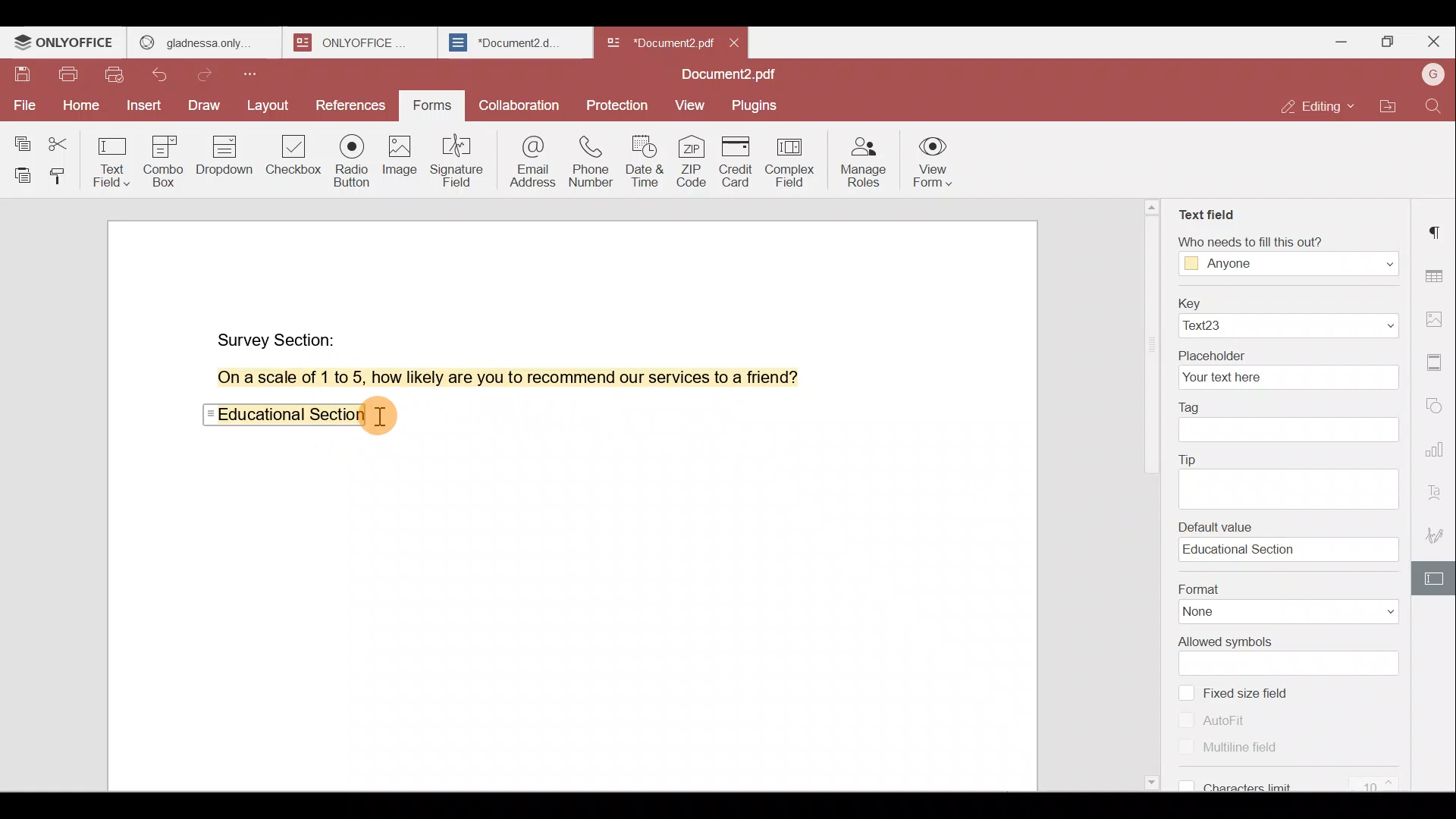  Describe the element at coordinates (517, 104) in the screenshot. I see `Collaboration` at that location.